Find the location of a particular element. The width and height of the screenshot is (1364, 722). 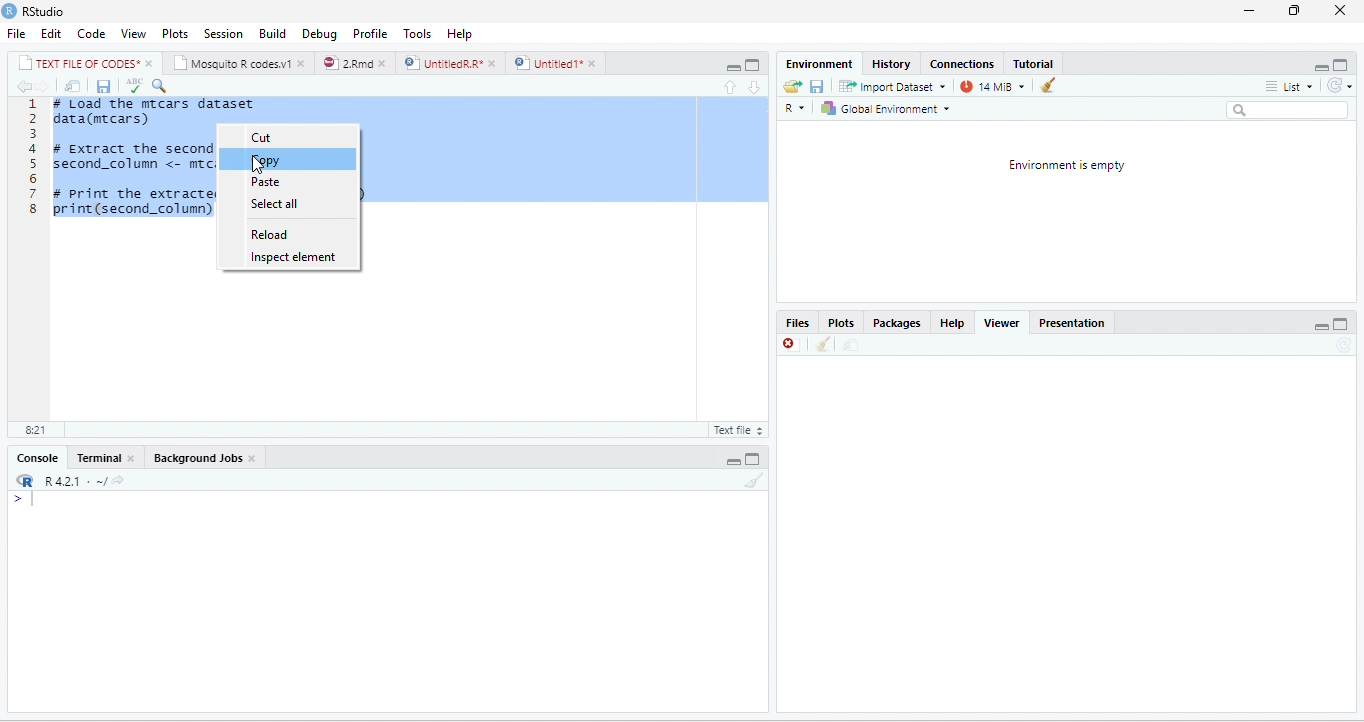

minimize is located at coordinates (735, 457).